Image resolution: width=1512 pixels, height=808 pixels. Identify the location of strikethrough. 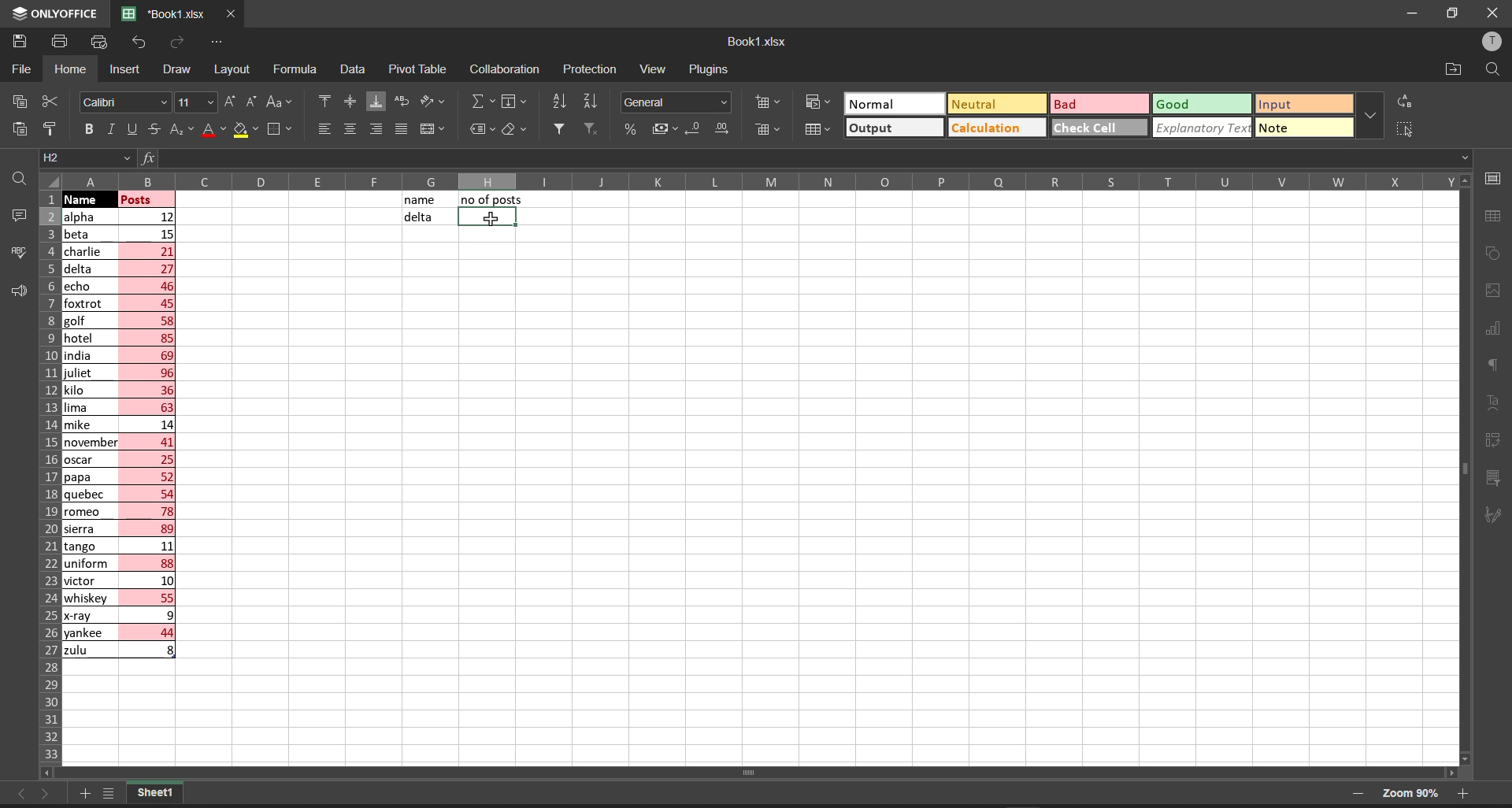
(154, 131).